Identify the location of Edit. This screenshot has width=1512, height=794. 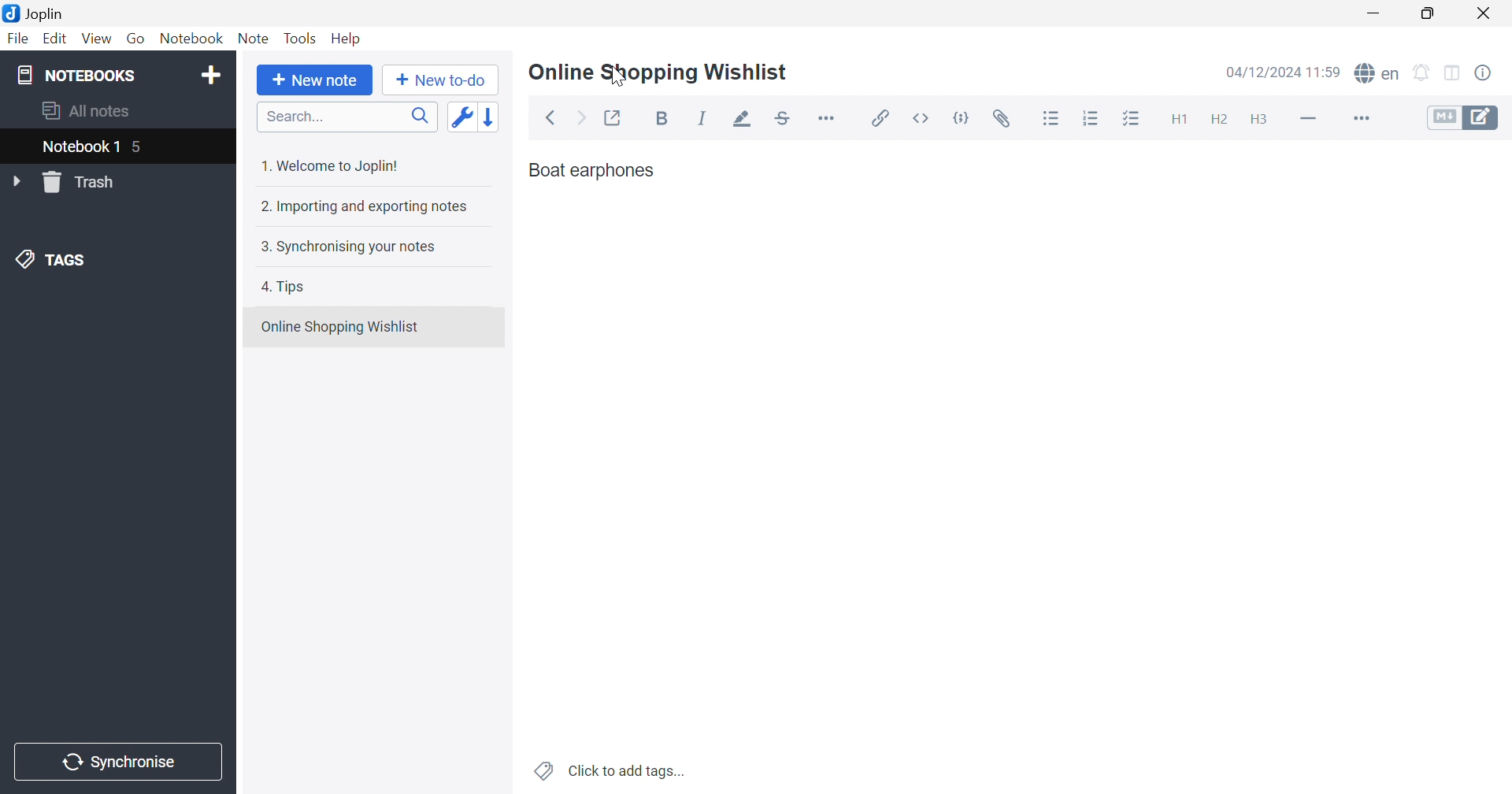
(56, 39).